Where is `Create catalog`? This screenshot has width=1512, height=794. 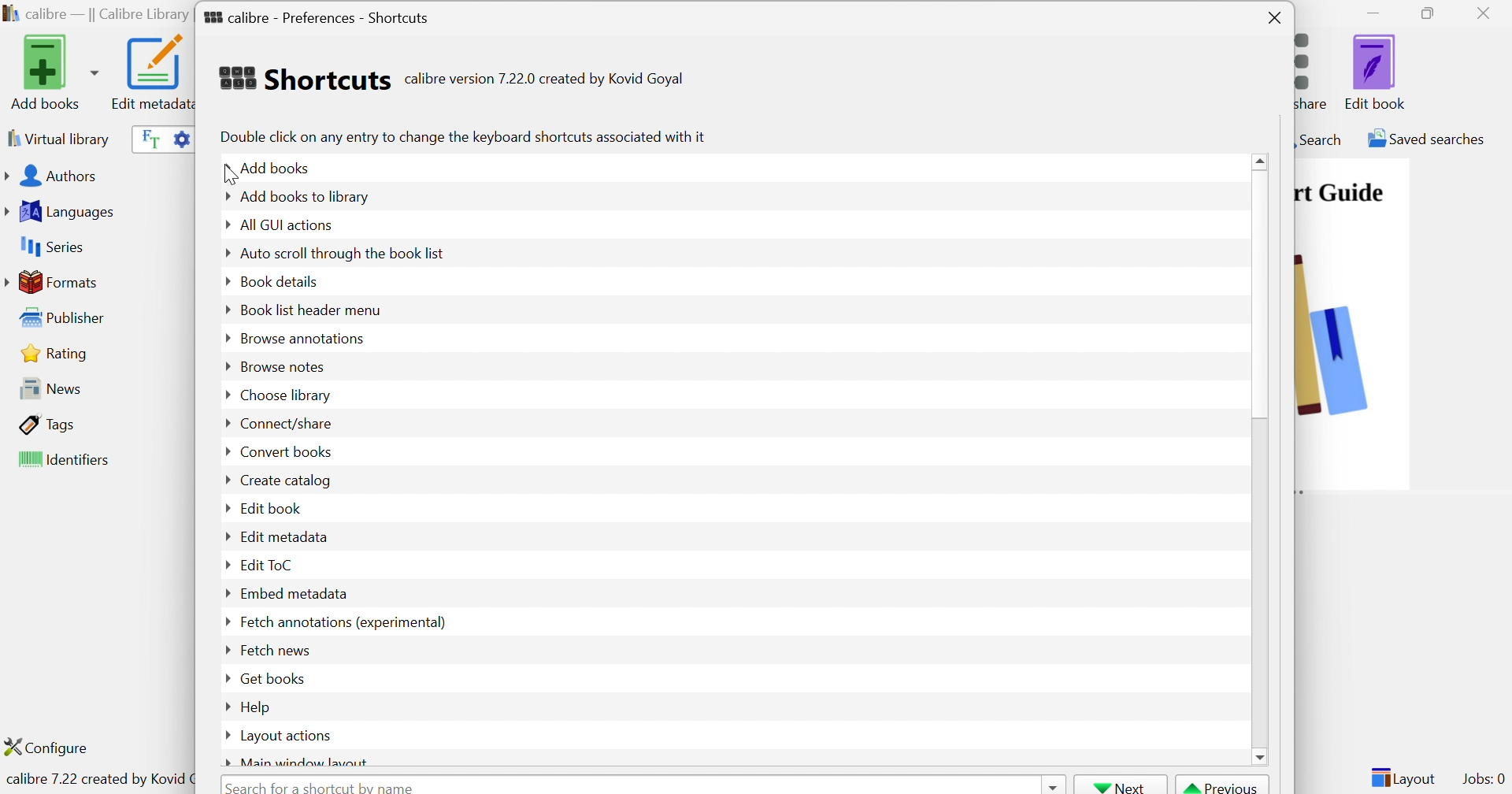
Create catalog is located at coordinates (284, 480).